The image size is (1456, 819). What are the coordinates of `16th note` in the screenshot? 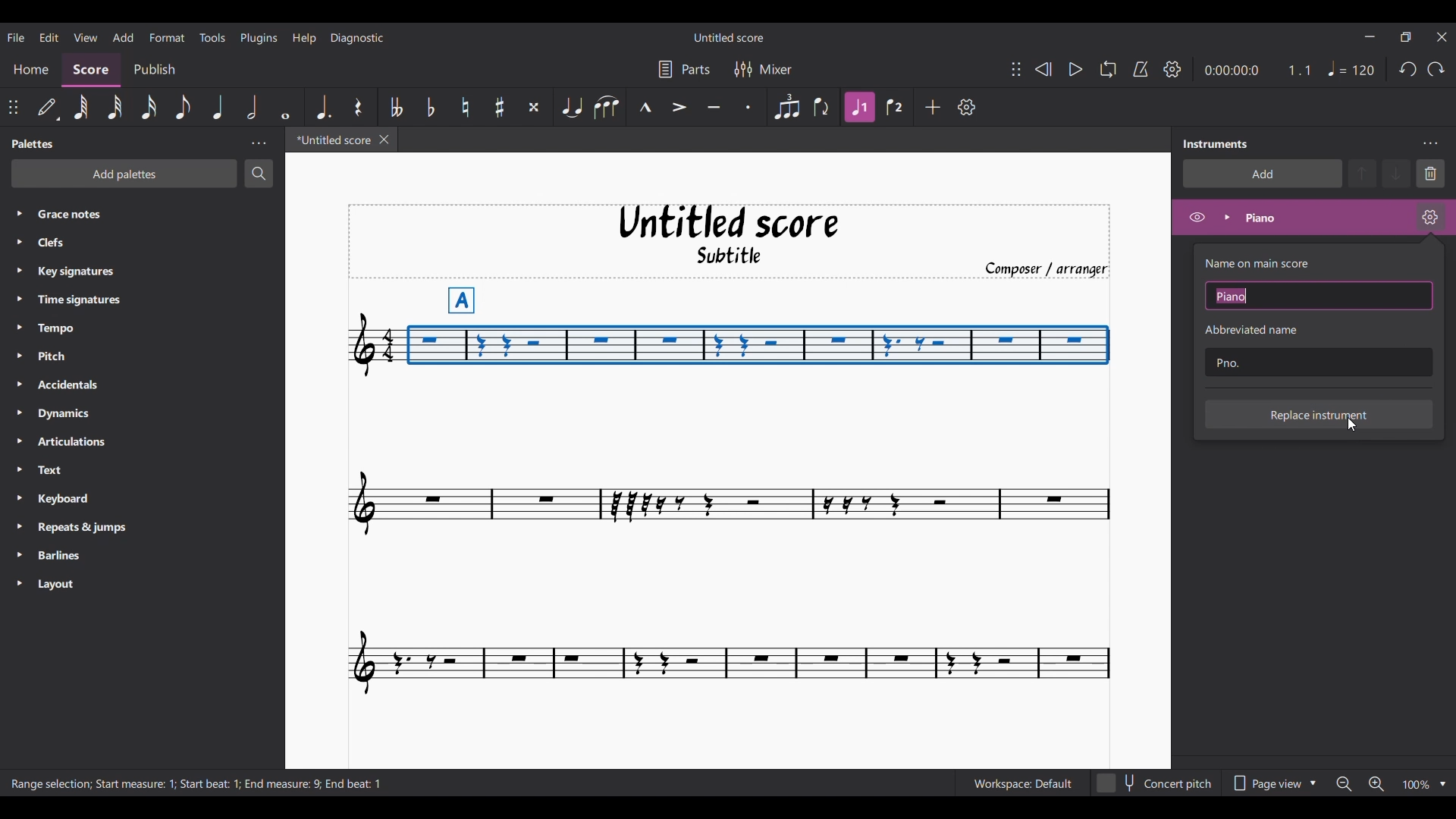 It's located at (149, 106).